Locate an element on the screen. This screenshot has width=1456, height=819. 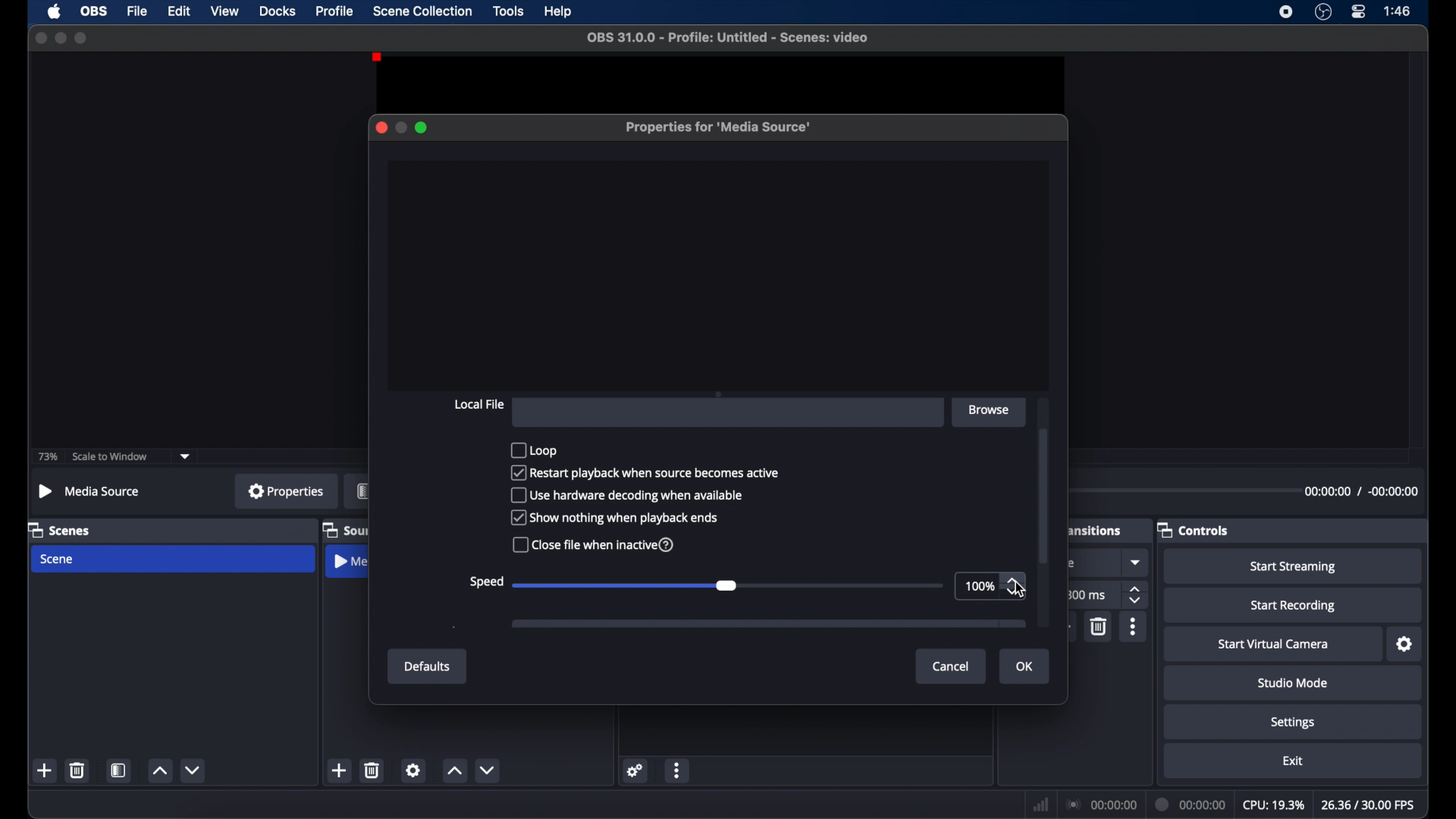
close is located at coordinates (41, 39).